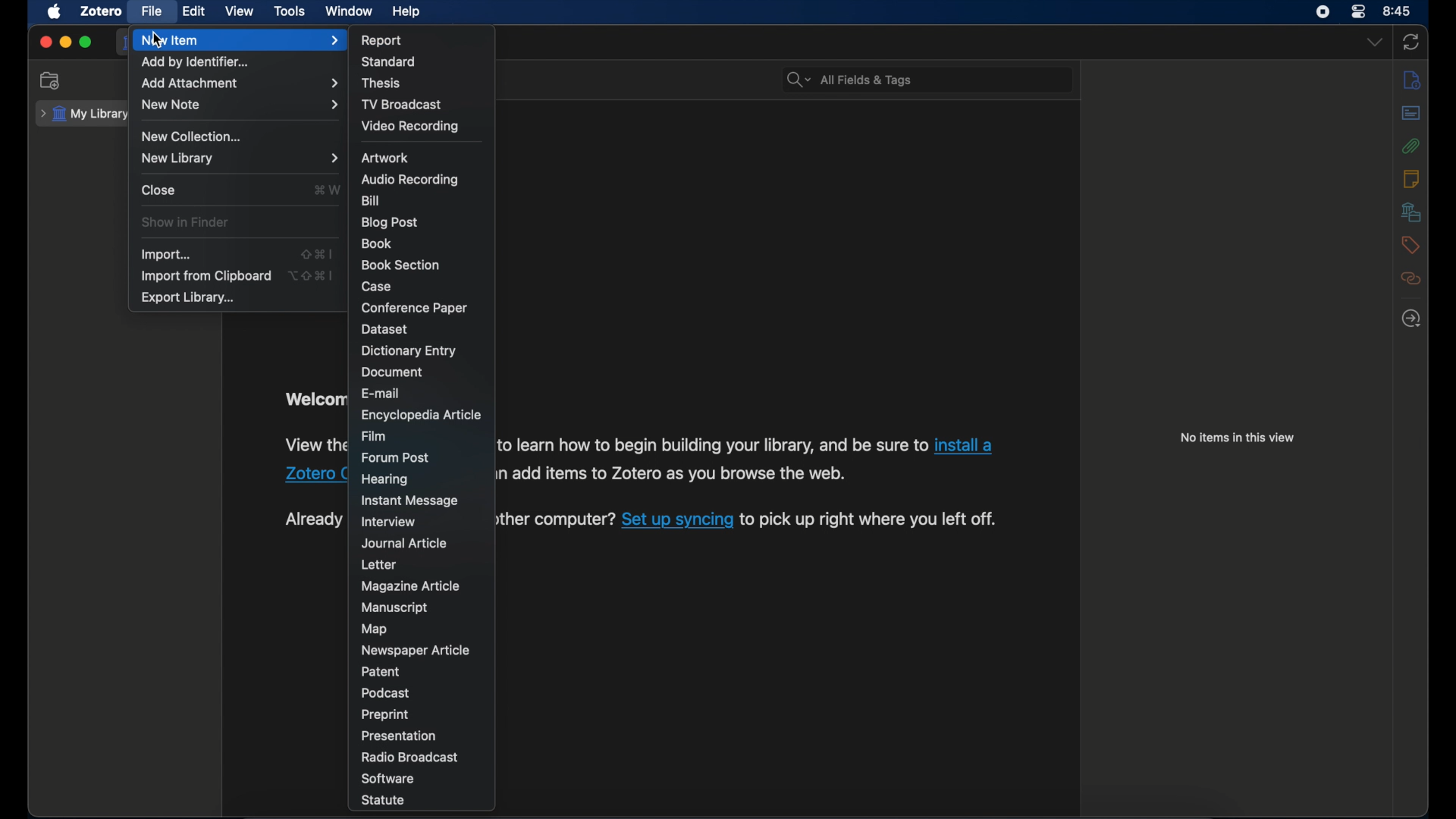  I want to click on podcast, so click(388, 692).